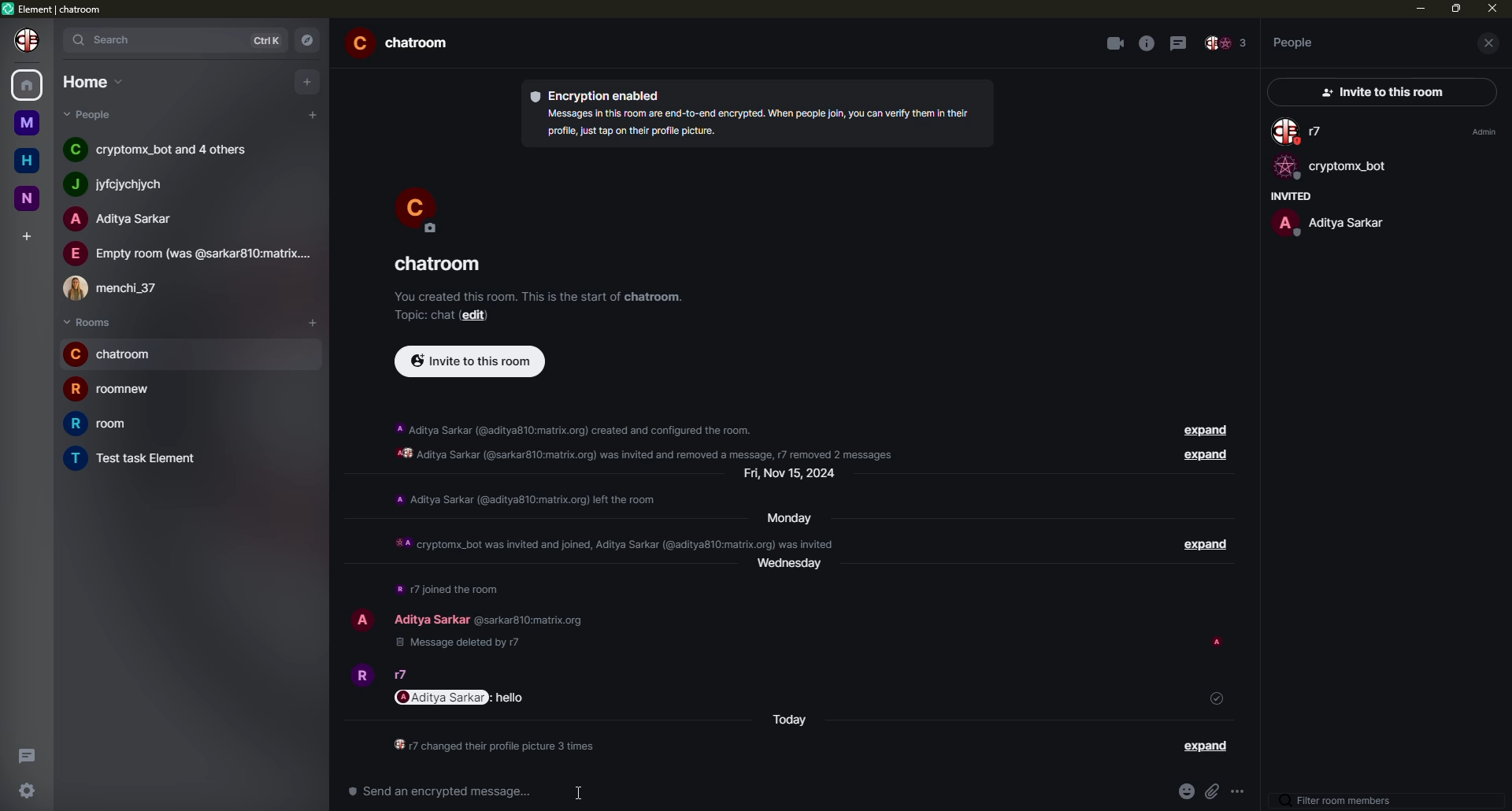 The height and width of the screenshot is (811, 1512). What do you see at coordinates (470, 360) in the screenshot?
I see `invite to this room` at bounding box center [470, 360].